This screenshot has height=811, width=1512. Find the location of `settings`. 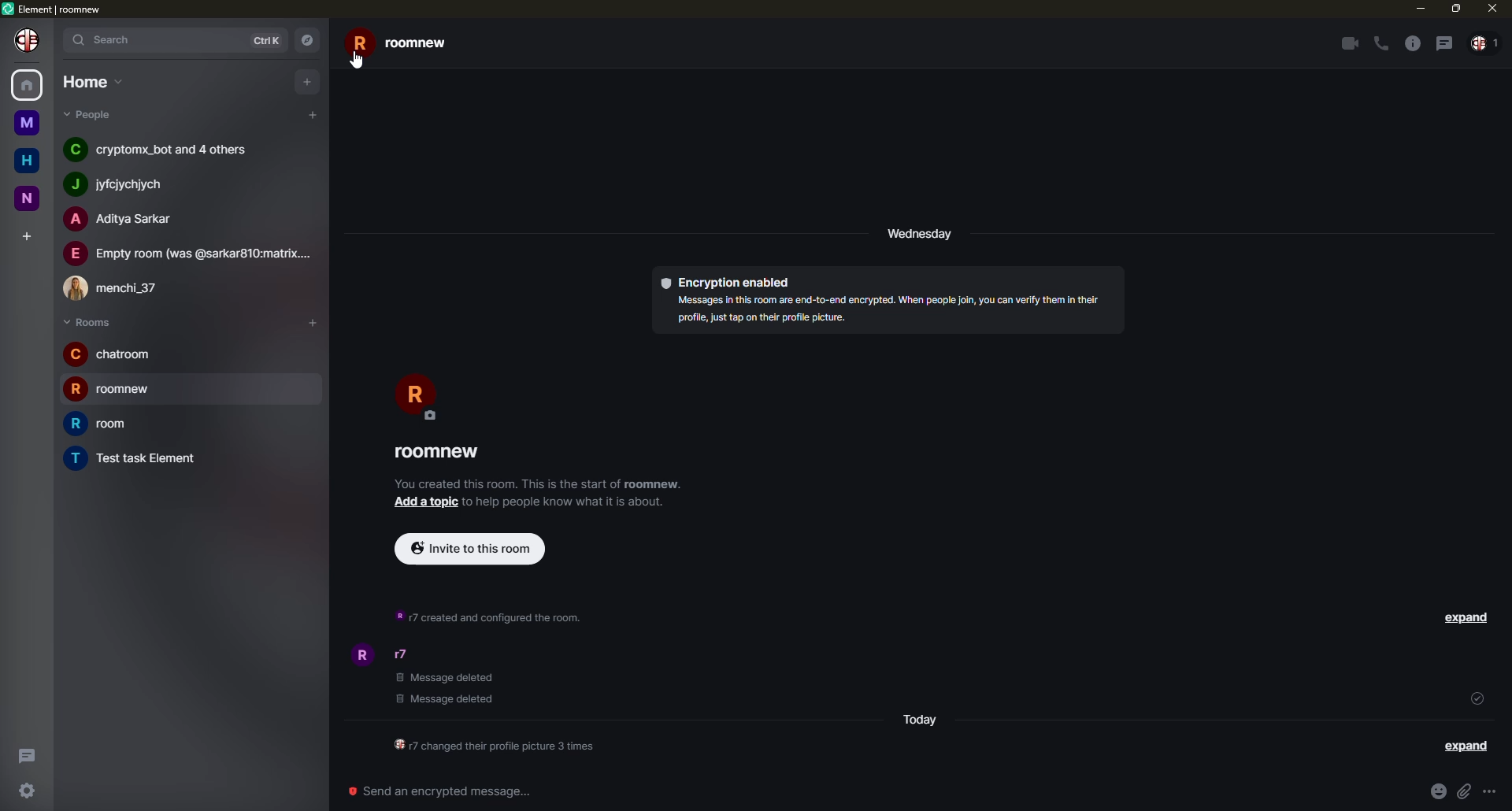

settings is located at coordinates (26, 791).